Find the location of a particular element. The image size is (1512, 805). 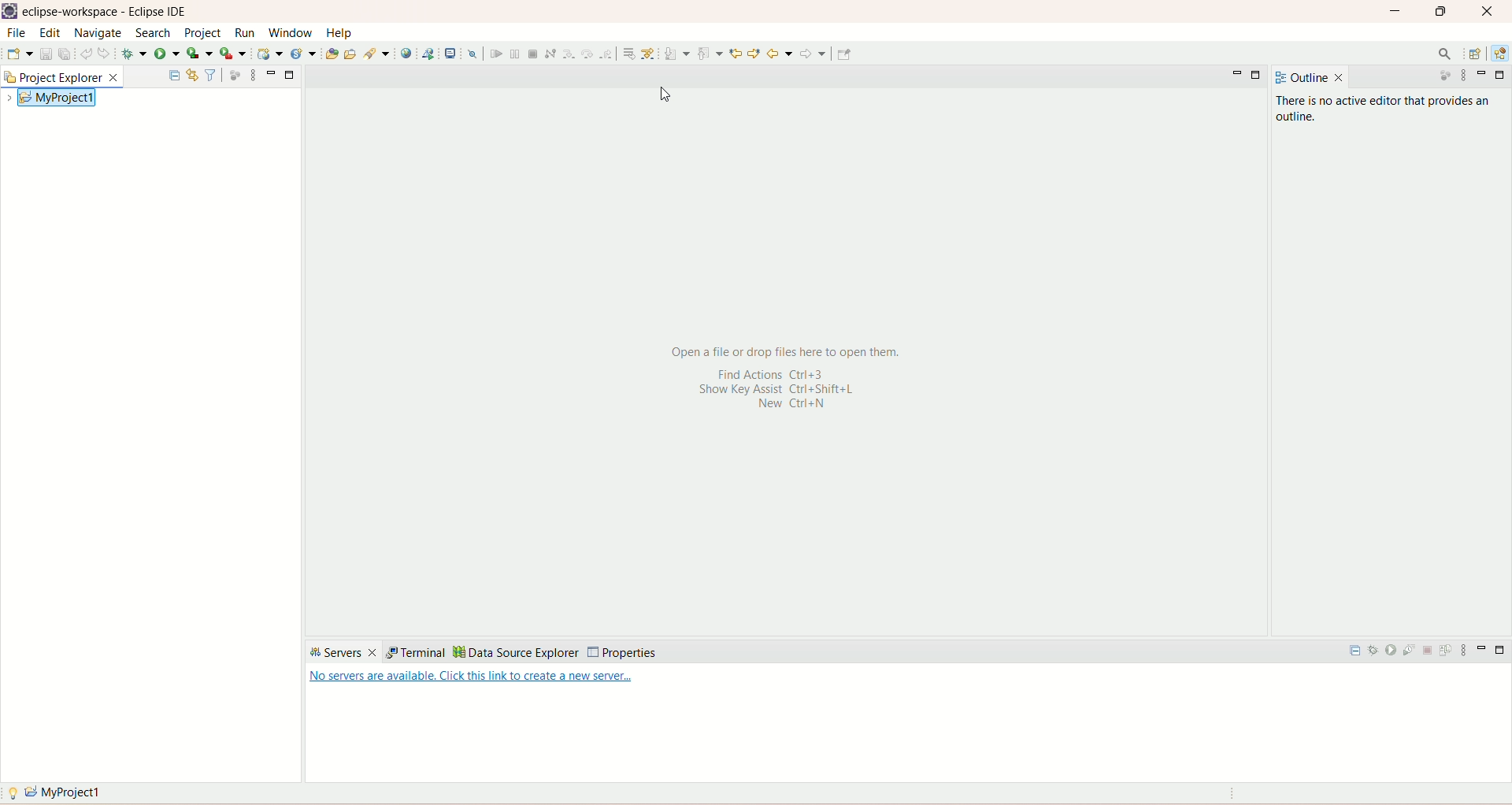

previous edit location is located at coordinates (754, 54).